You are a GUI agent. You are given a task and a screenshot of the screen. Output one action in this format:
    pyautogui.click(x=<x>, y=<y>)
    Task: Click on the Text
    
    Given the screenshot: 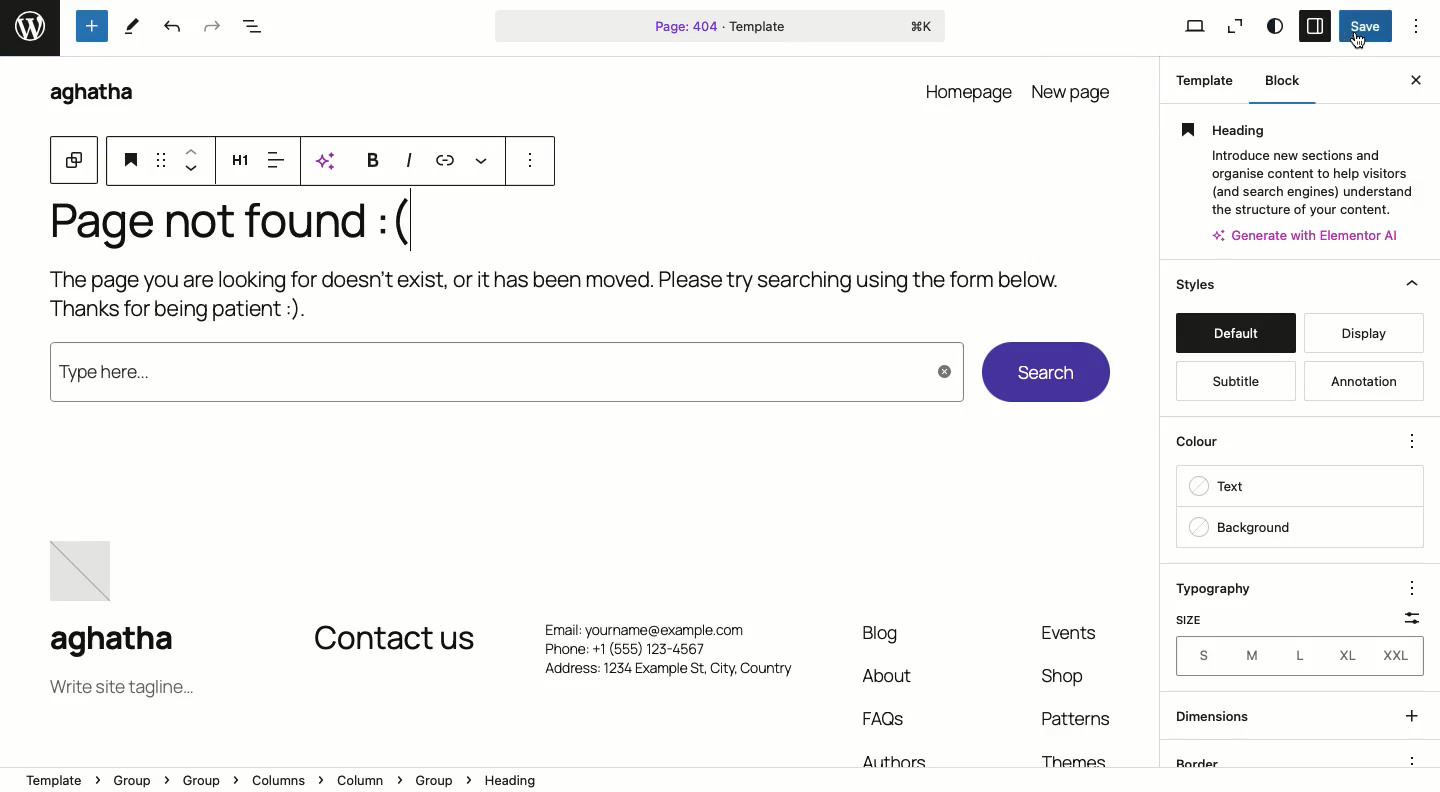 What is the action you would take?
    pyautogui.click(x=409, y=224)
    